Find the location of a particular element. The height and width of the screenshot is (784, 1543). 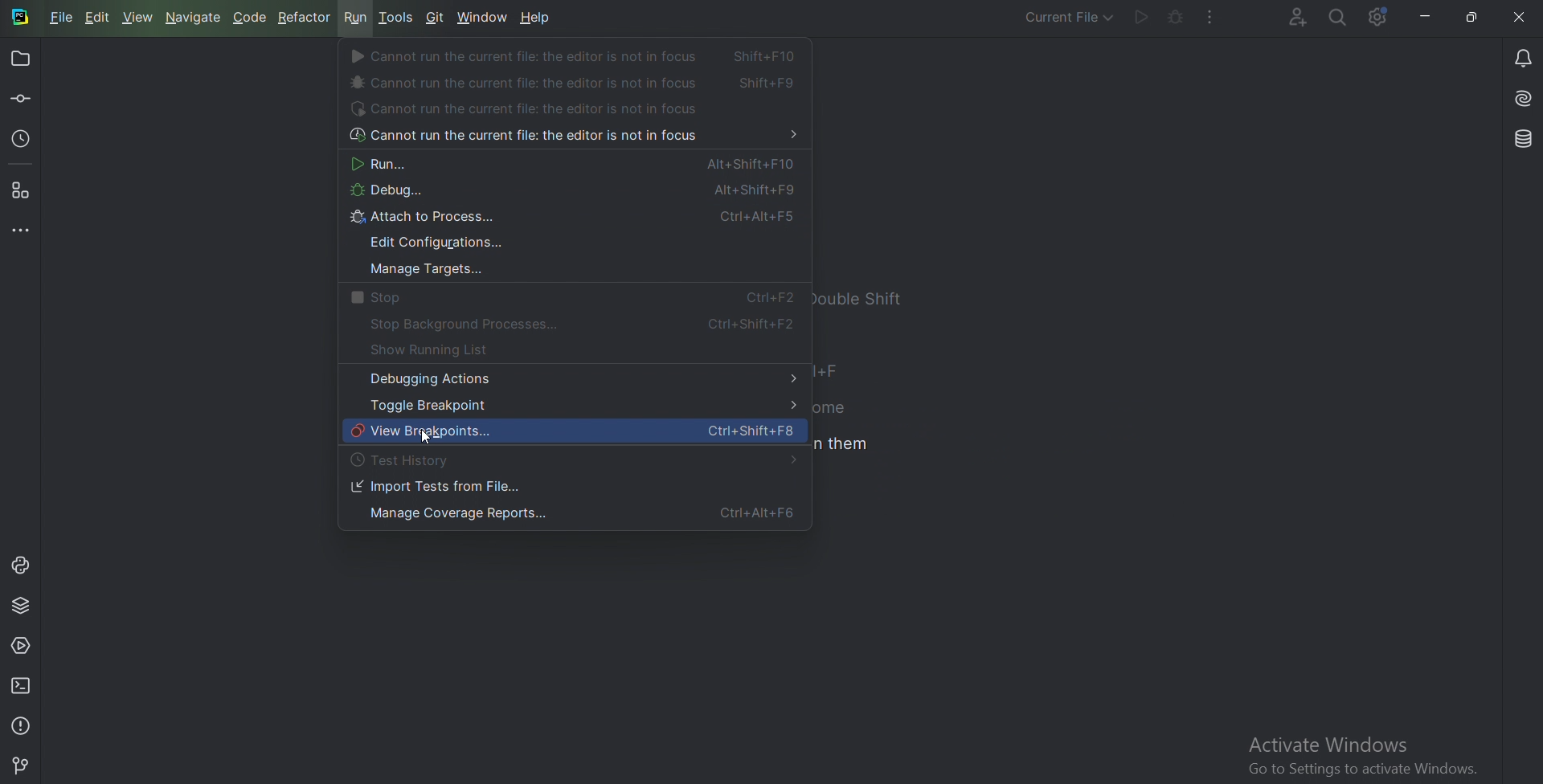

Run is located at coordinates (568, 165).